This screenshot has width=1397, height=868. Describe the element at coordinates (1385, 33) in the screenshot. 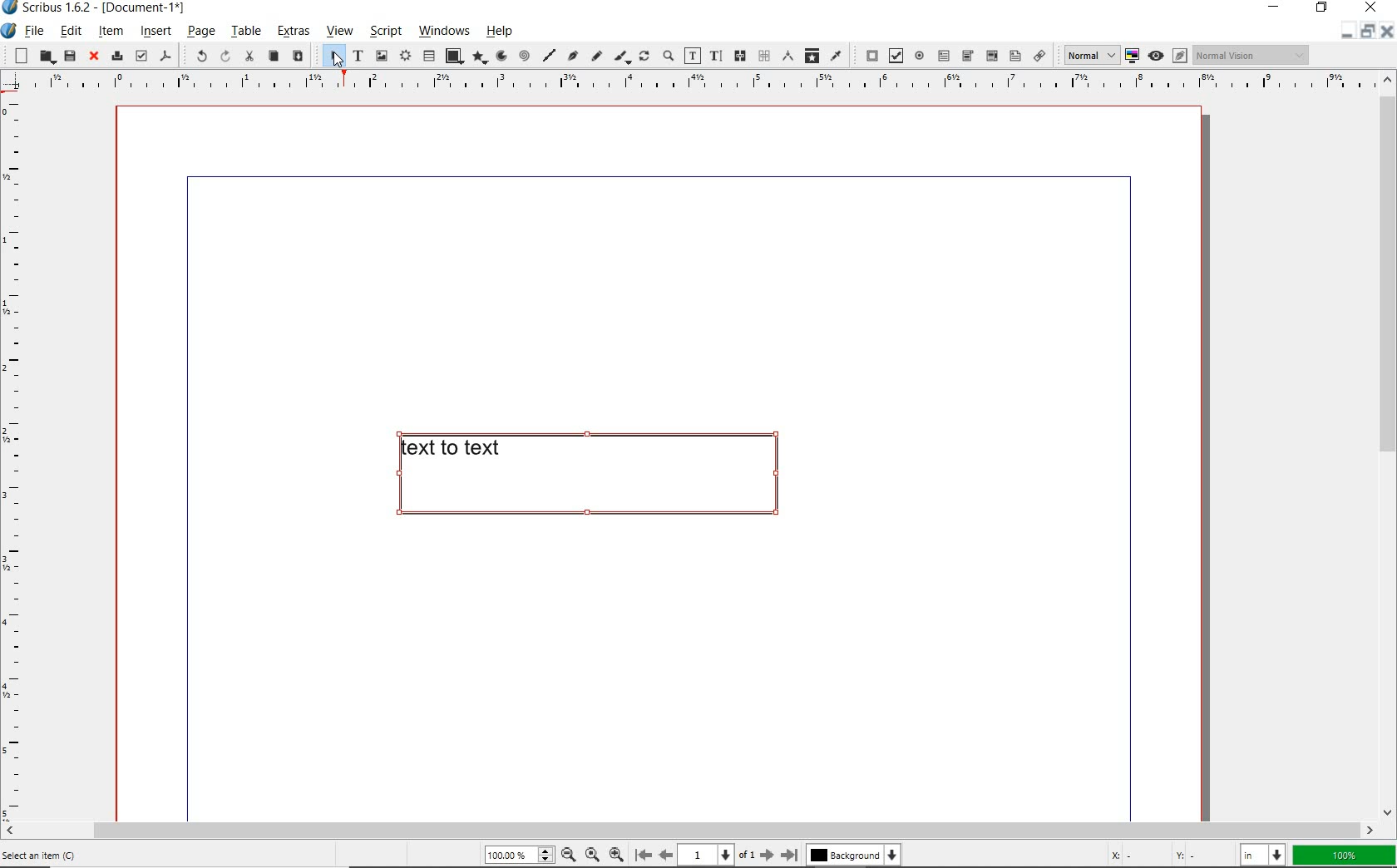

I see `Close` at that location.